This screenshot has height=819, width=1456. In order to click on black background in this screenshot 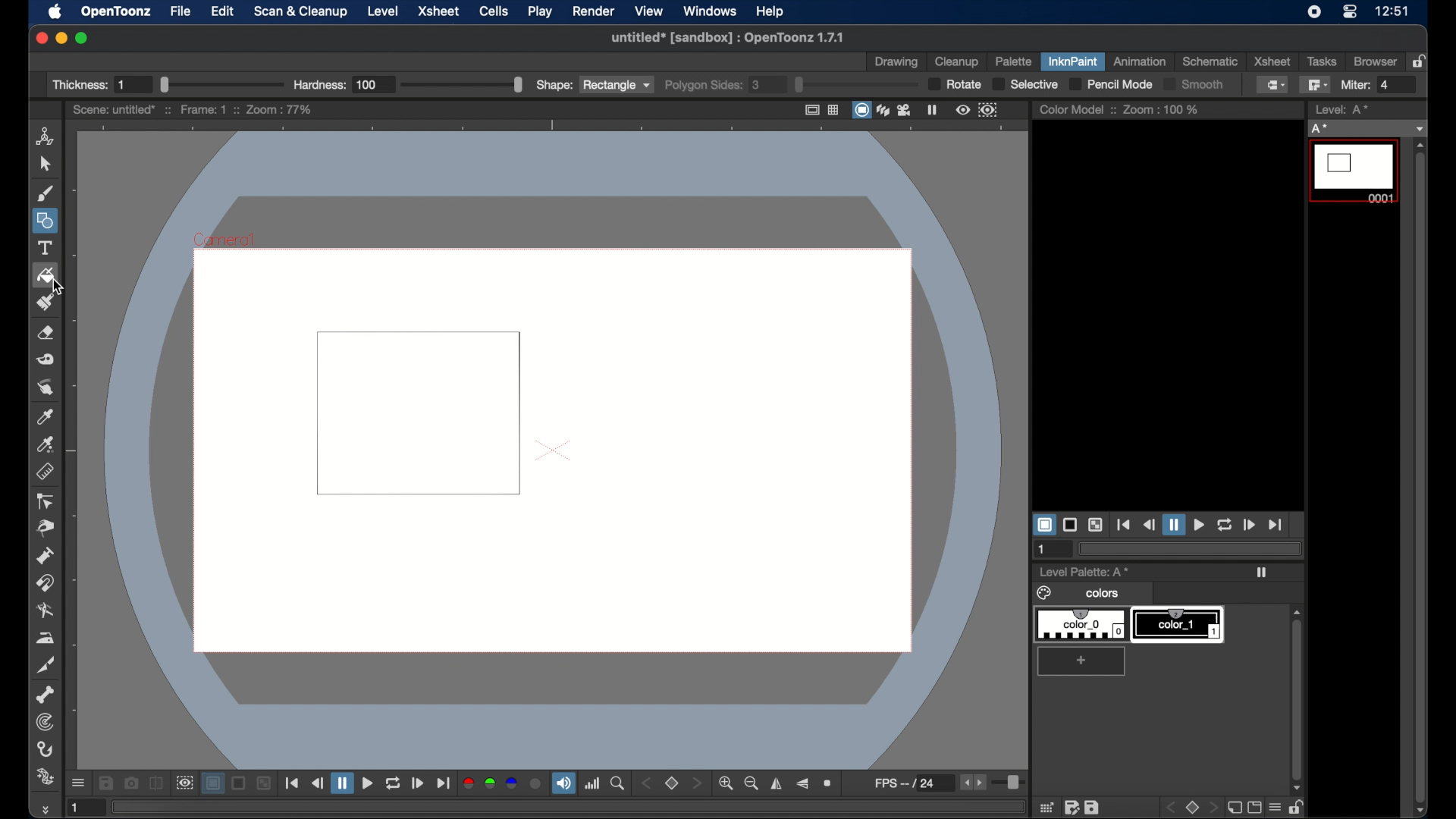, I will do `click(240, 783)`.